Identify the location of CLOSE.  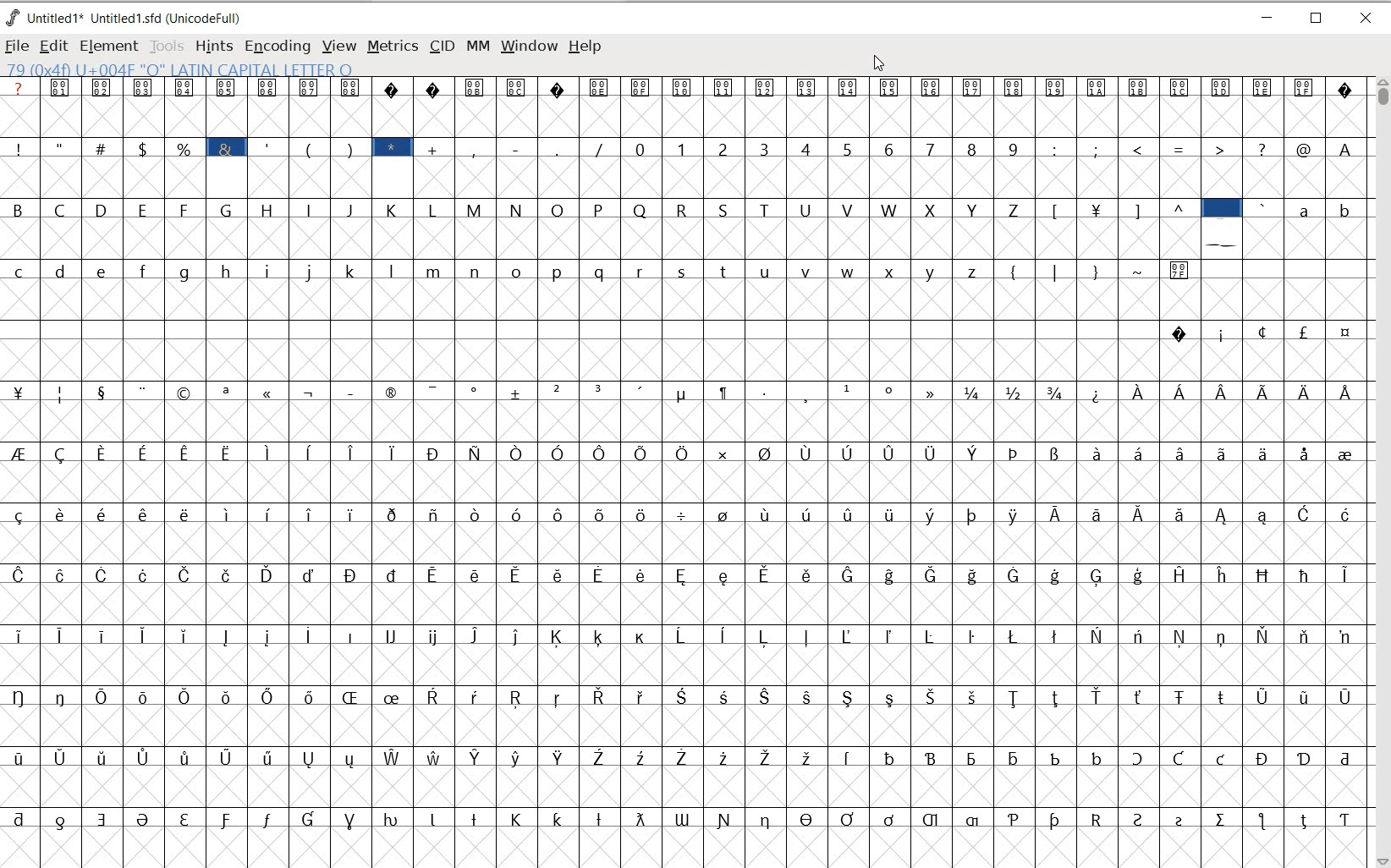
(1366, 19).